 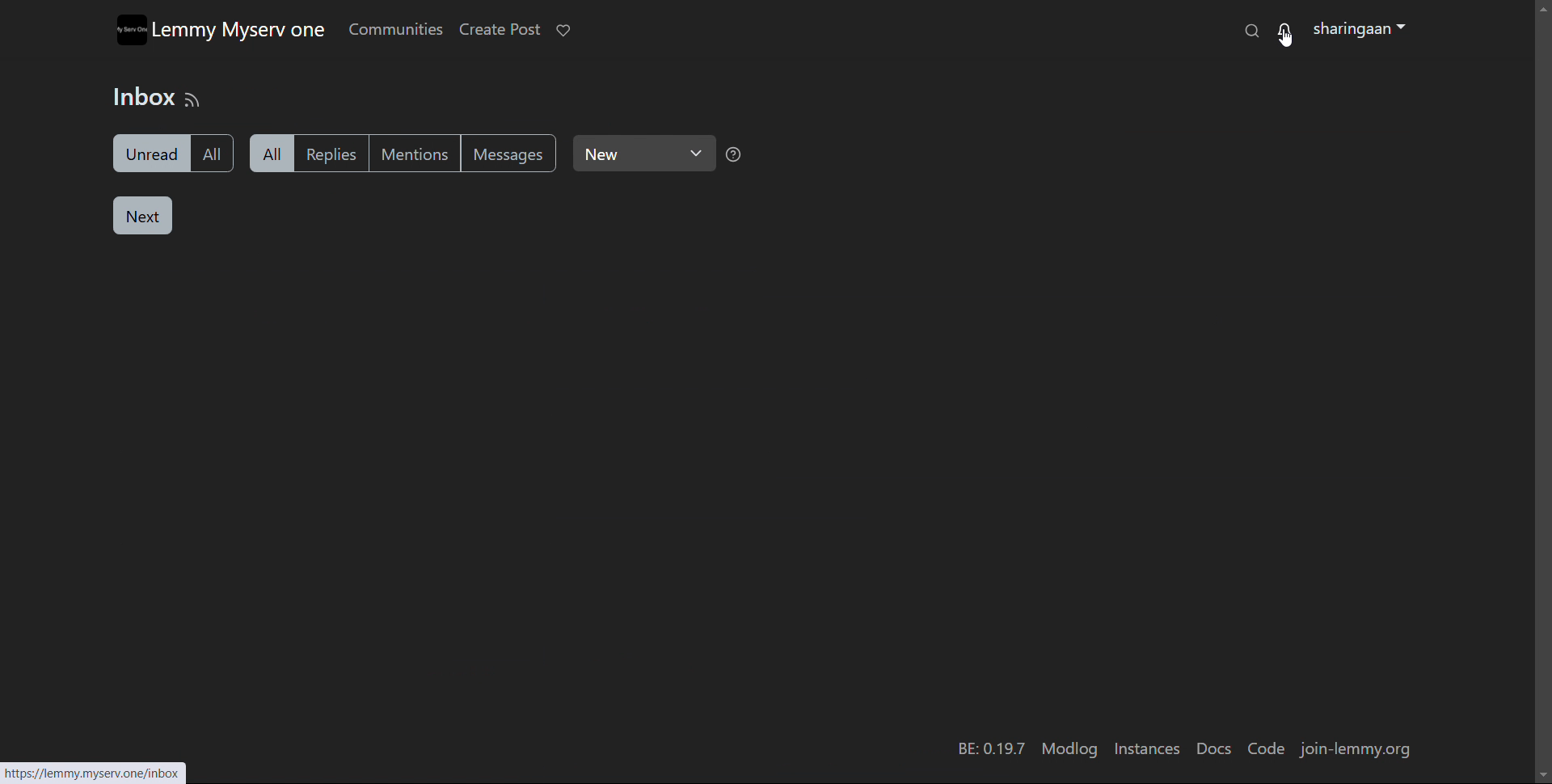 What do you see at coordinates (1537, 382) in the screenshot?
I see `Vertical Scroll Bar` at bounding box center [1537, 382].